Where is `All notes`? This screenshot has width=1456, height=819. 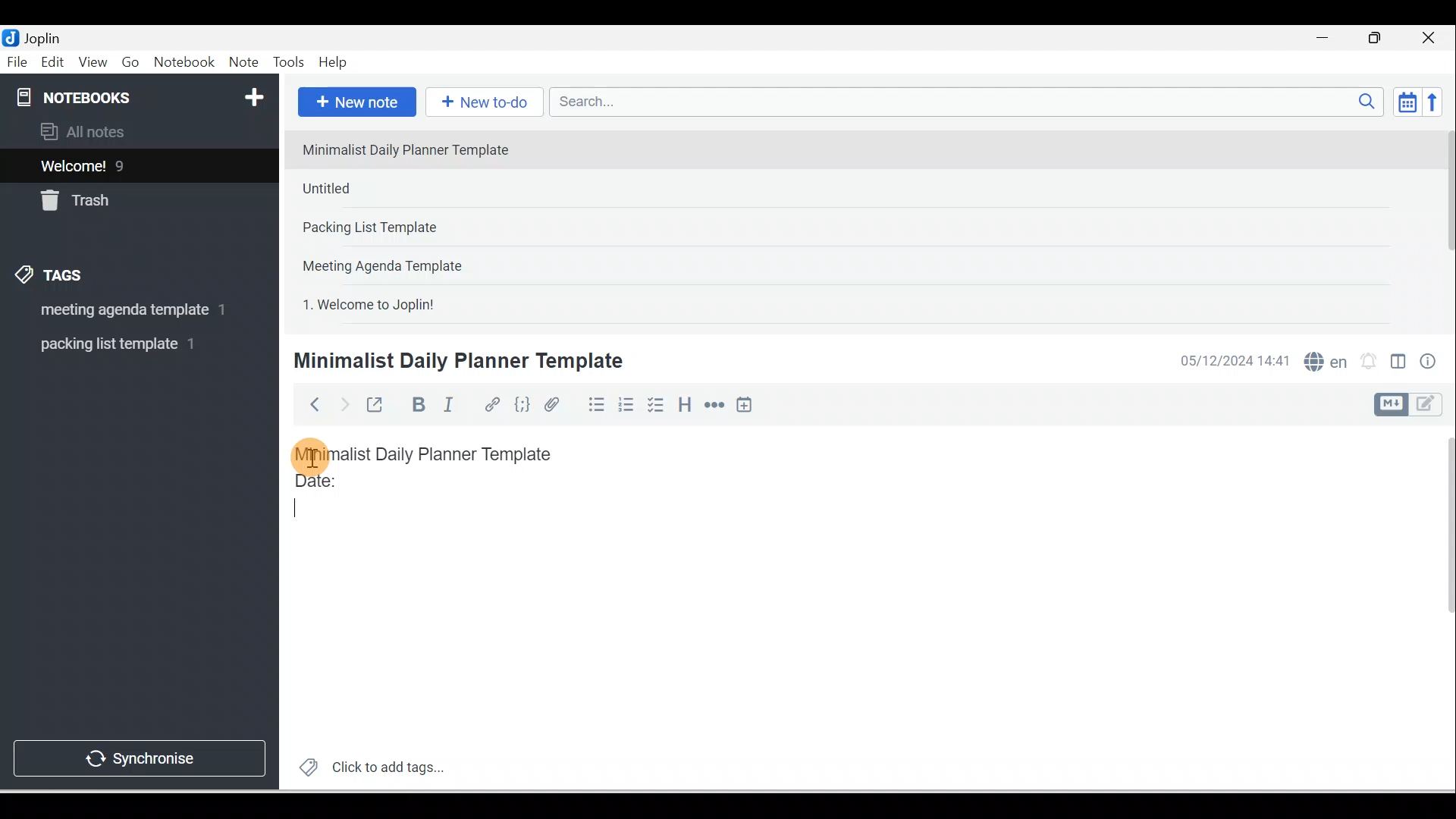
All notes is located at coordinates (137, 131).